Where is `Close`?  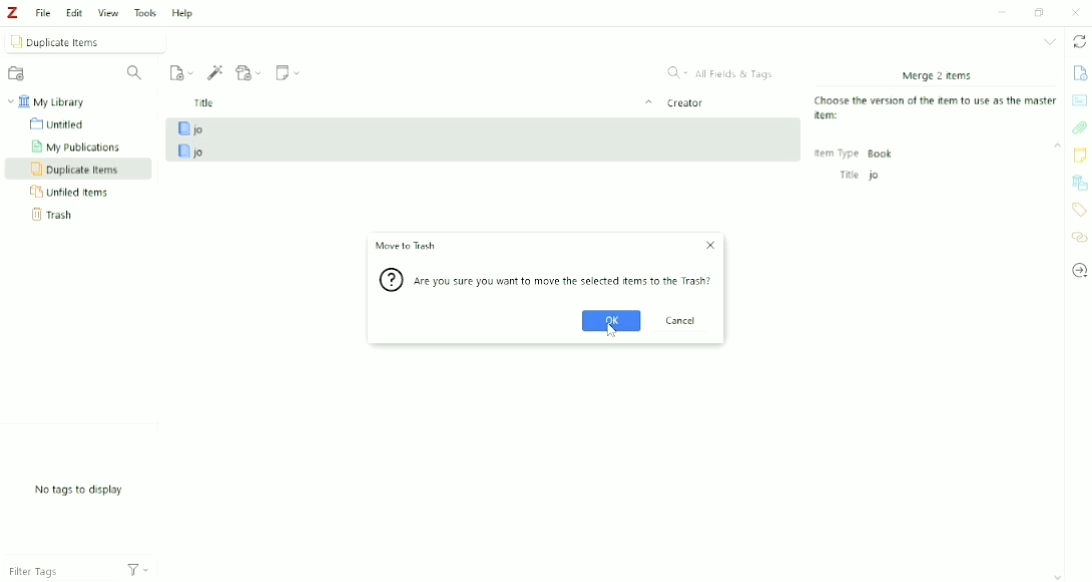
Close is located at coordinates (1075, 13).